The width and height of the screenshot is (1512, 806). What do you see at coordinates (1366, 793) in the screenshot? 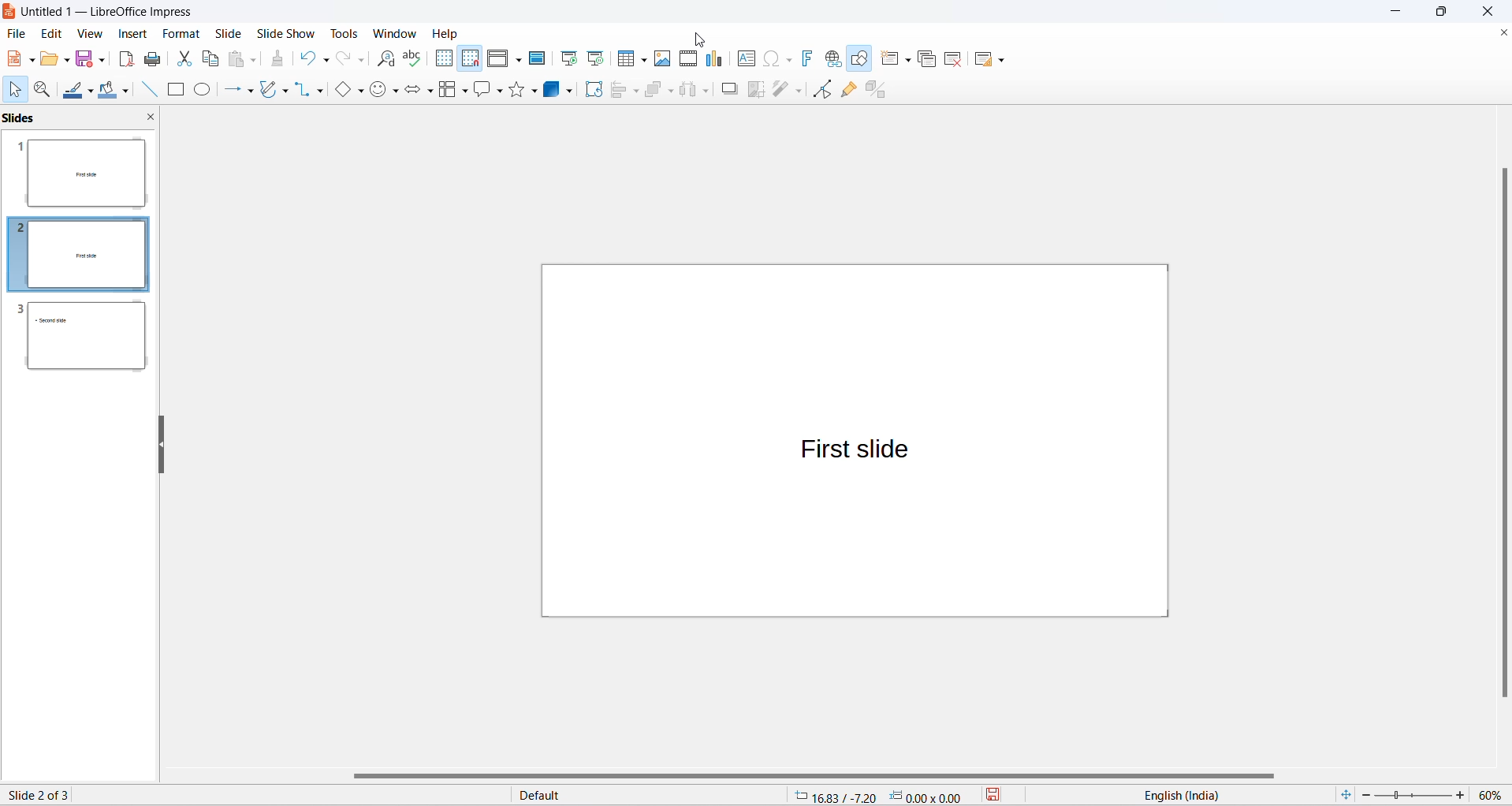
I see `decrease zoom` at bounding box center [1366, 793].